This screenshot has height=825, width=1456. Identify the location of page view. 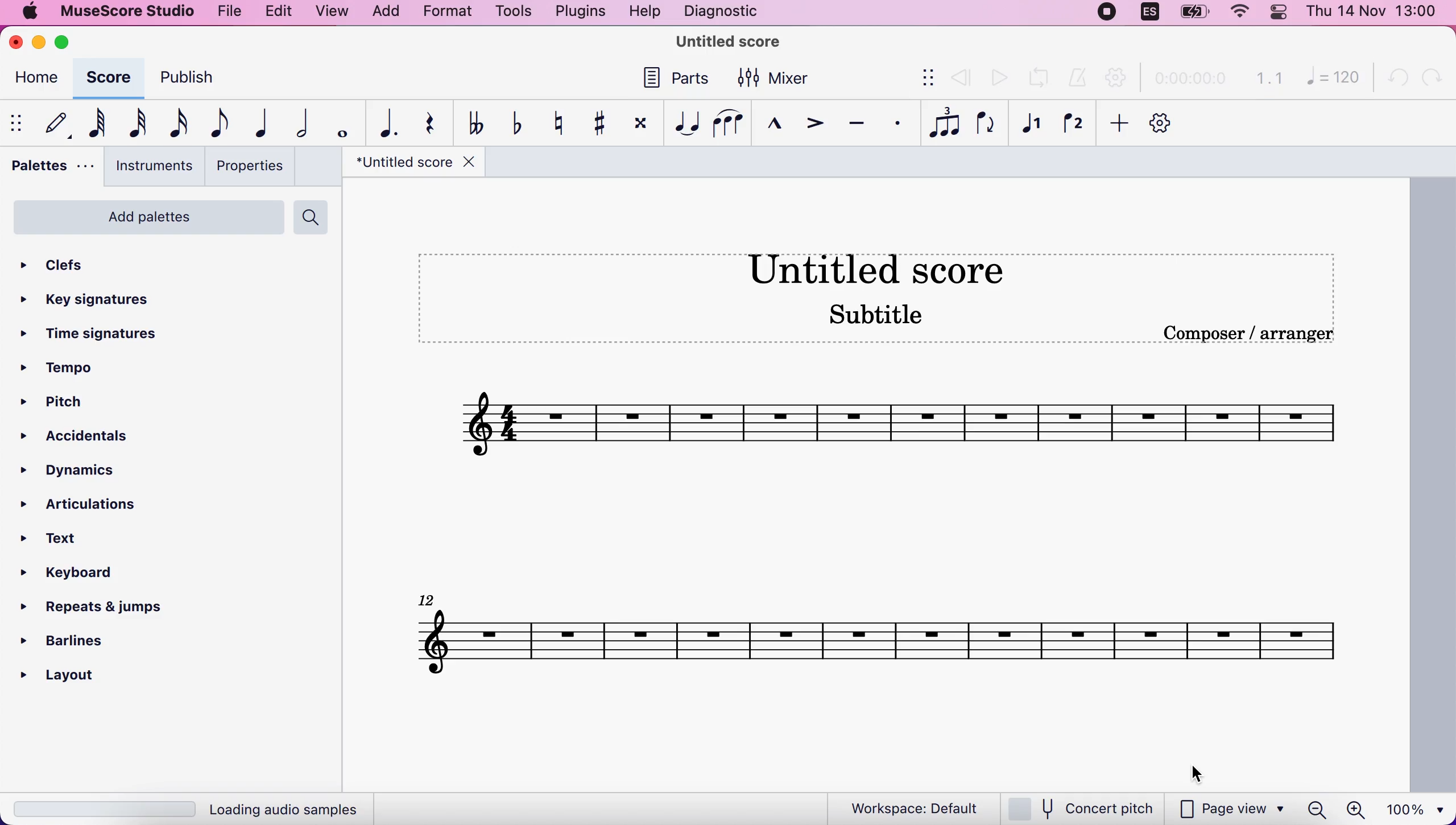
(1224, 808).